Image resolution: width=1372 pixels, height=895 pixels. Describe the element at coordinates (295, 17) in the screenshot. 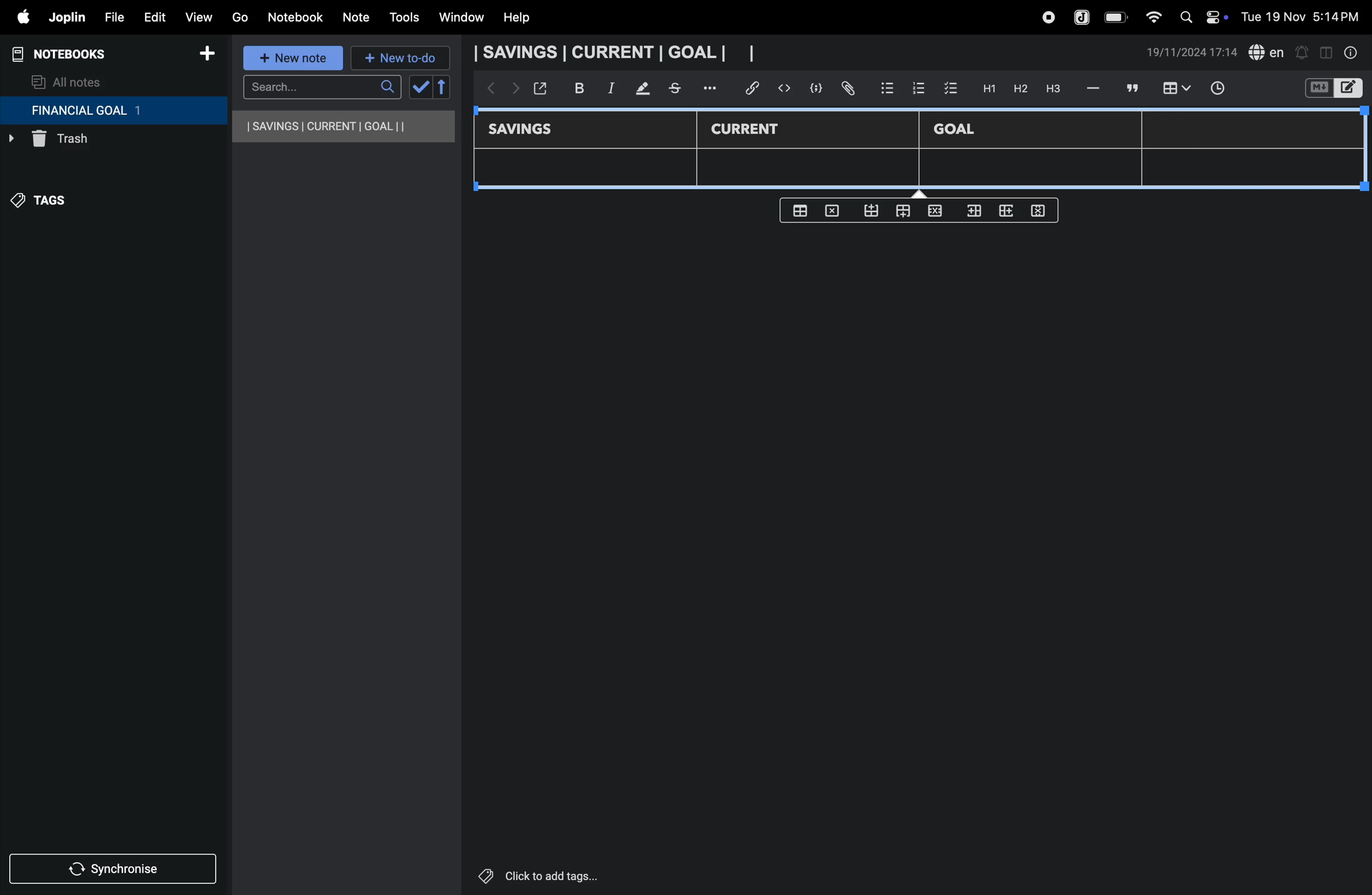

I see `notebook` at that location.